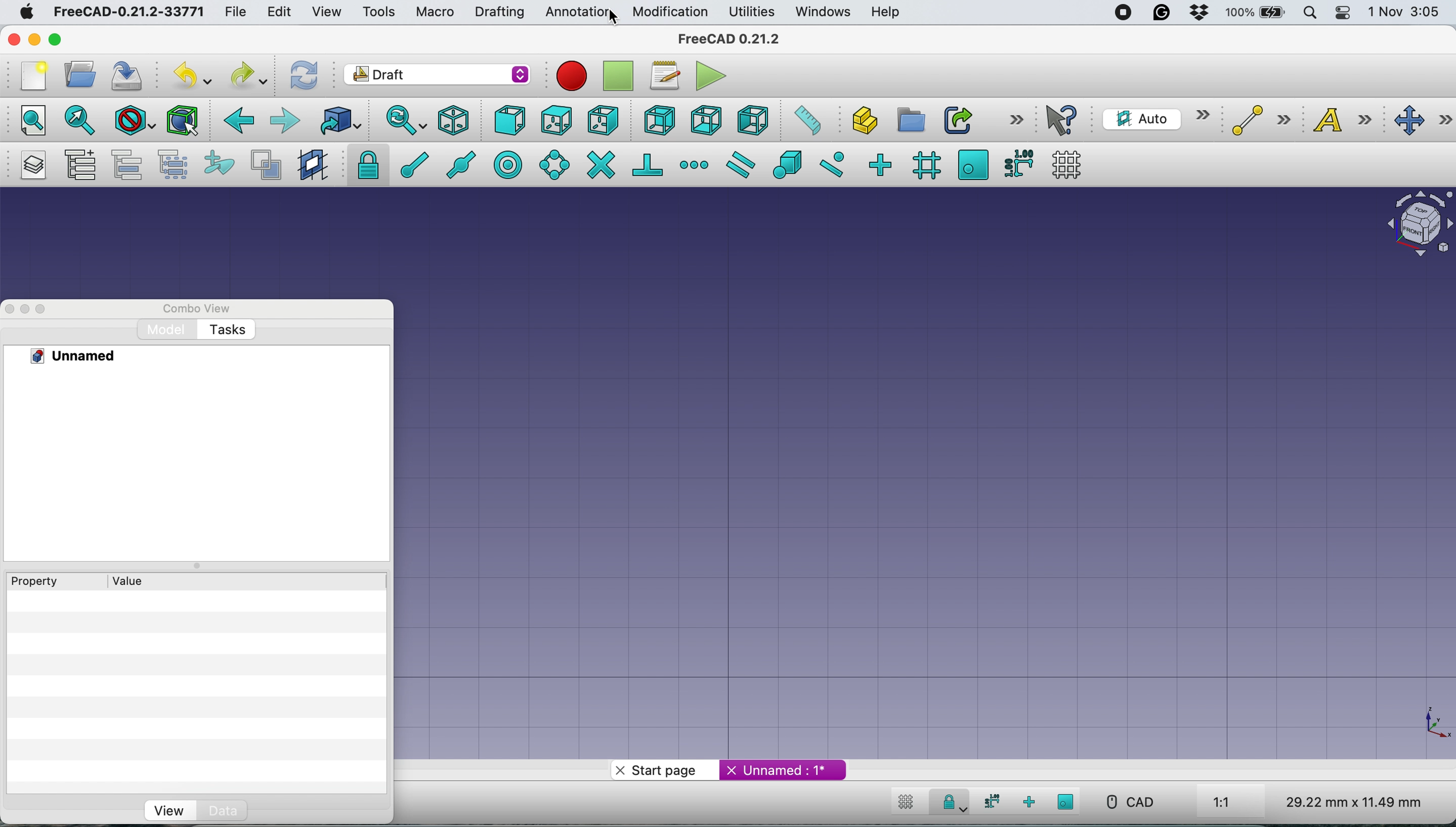 This screenshot has width=1456, height=827. What do you see at coordinates (249, 74) in the screenshot?
I see `redo` at bounding box center [249, 74].